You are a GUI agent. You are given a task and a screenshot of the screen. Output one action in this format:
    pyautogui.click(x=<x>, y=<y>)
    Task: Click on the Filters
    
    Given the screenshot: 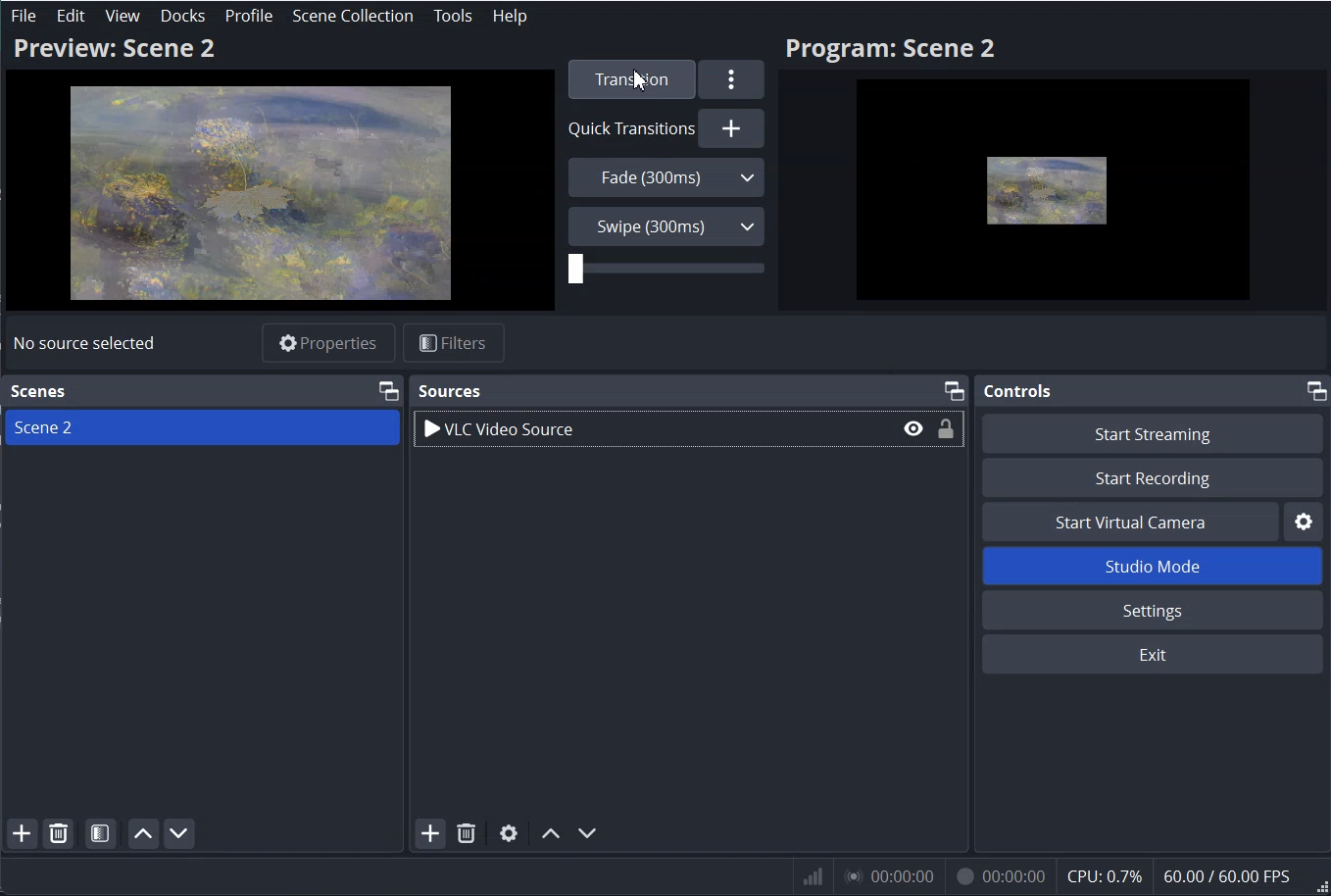 What is the action you would take?
    pyautogui.click(x=455, y=342)
    